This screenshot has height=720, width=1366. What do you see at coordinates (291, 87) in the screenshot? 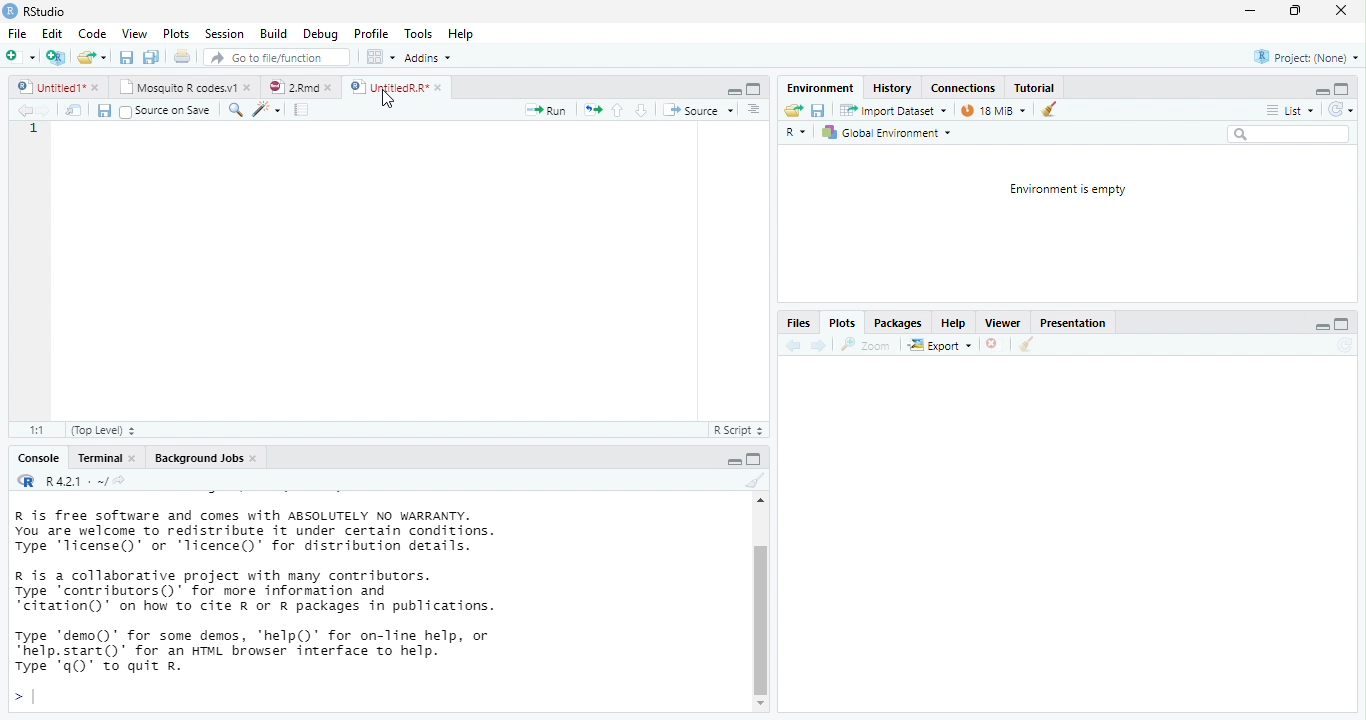
I see `2Rmd` at bounding box center [291, 87].